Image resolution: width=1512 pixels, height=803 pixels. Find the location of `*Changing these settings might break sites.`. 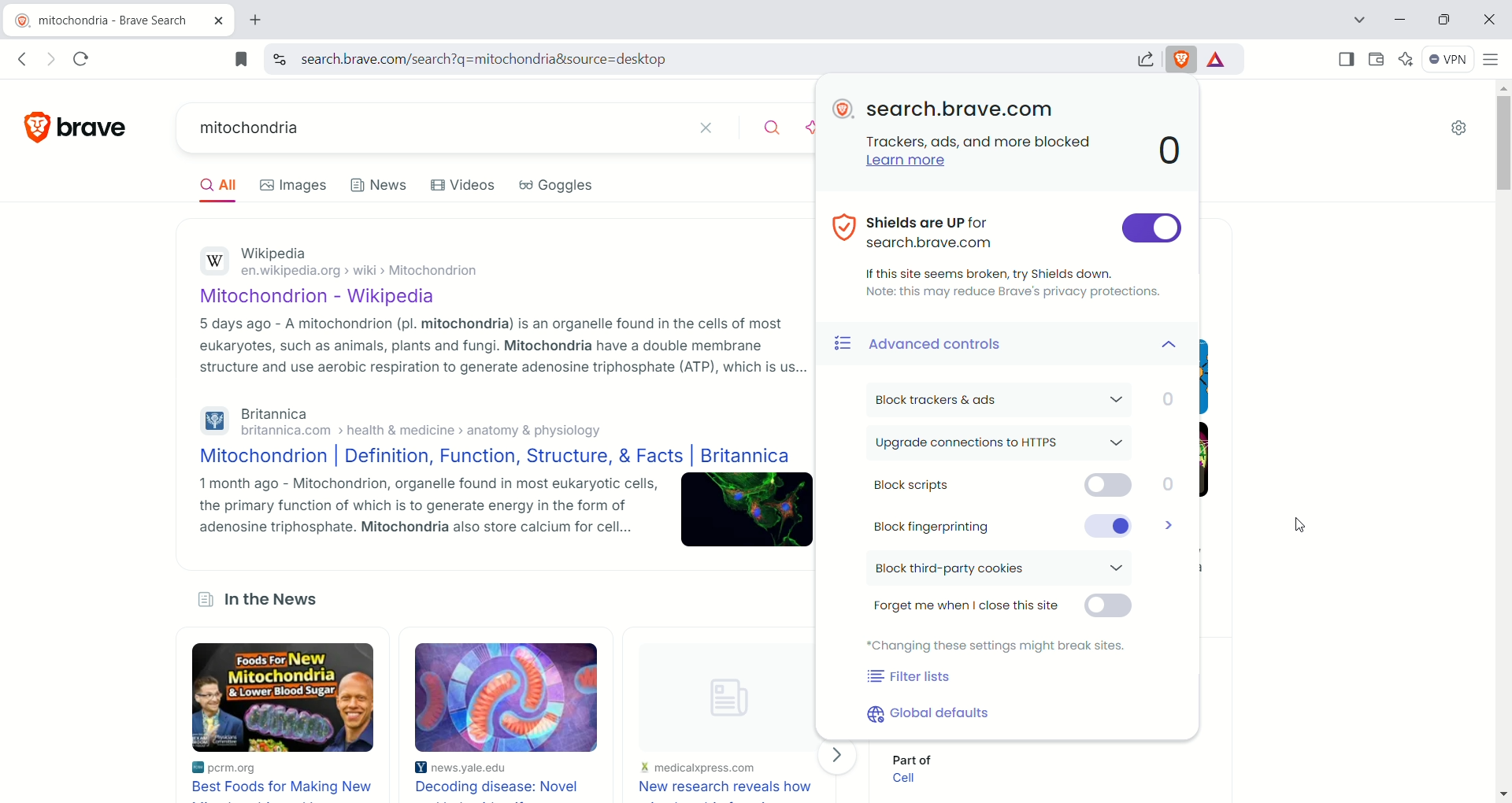

*Changing these settings might break sites. is located at coordinates (998, 645).